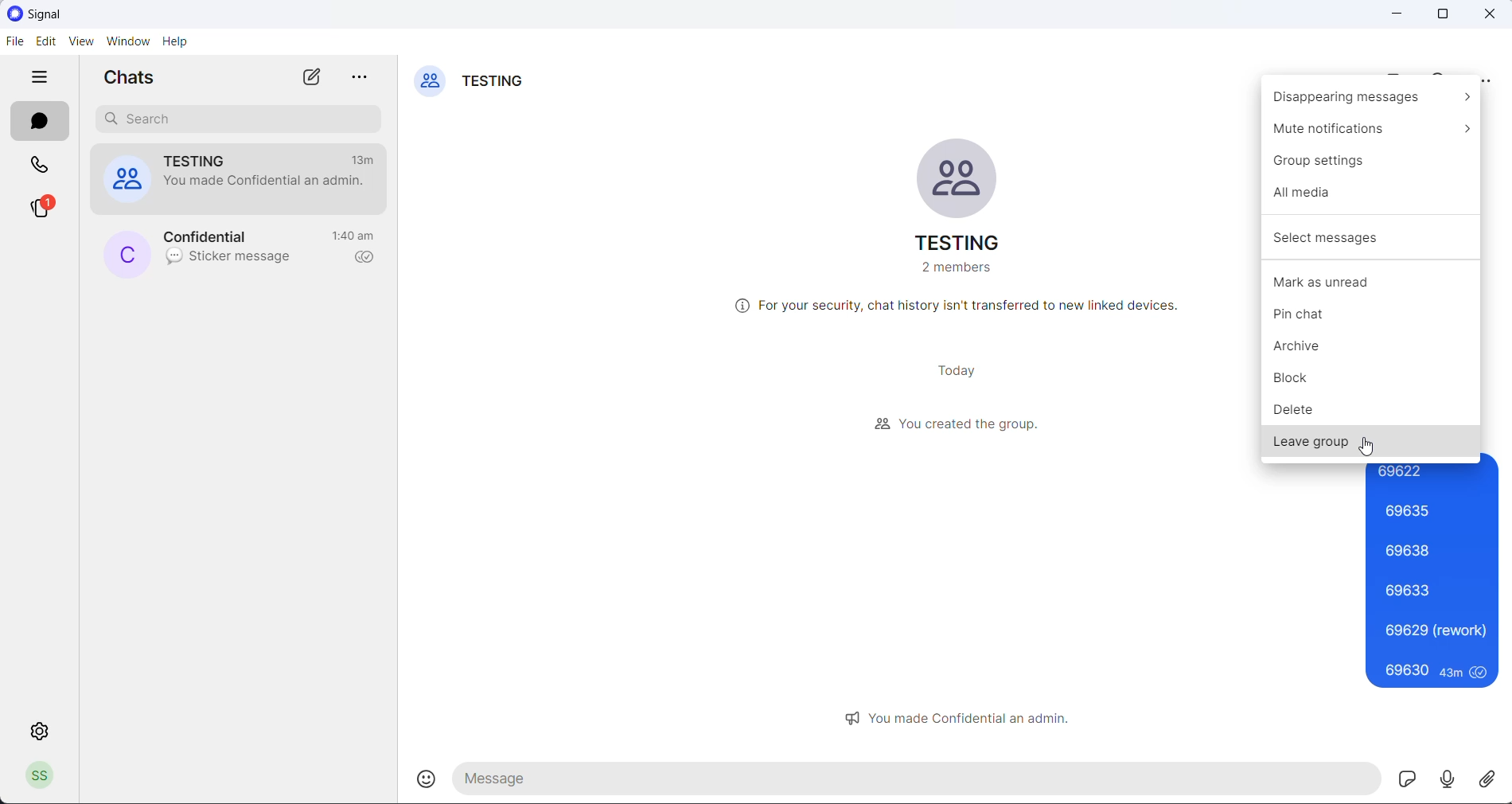 This screenshot has width=1512, height=804. What do you see at coordinates (45, 775) in the screenshot?
I see `profile` at bounding box center [45, 775].